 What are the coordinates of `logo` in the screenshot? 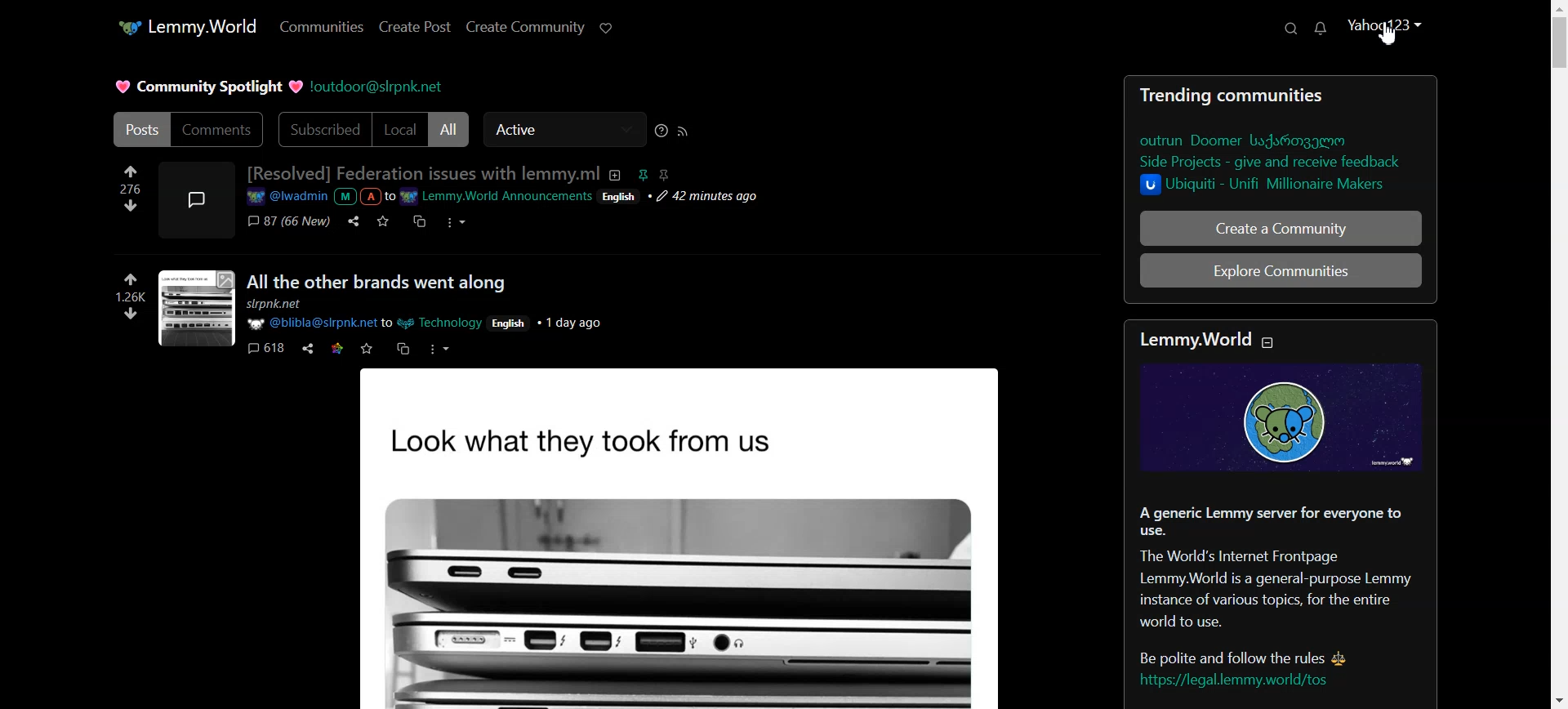 It's located at (1278, 417).